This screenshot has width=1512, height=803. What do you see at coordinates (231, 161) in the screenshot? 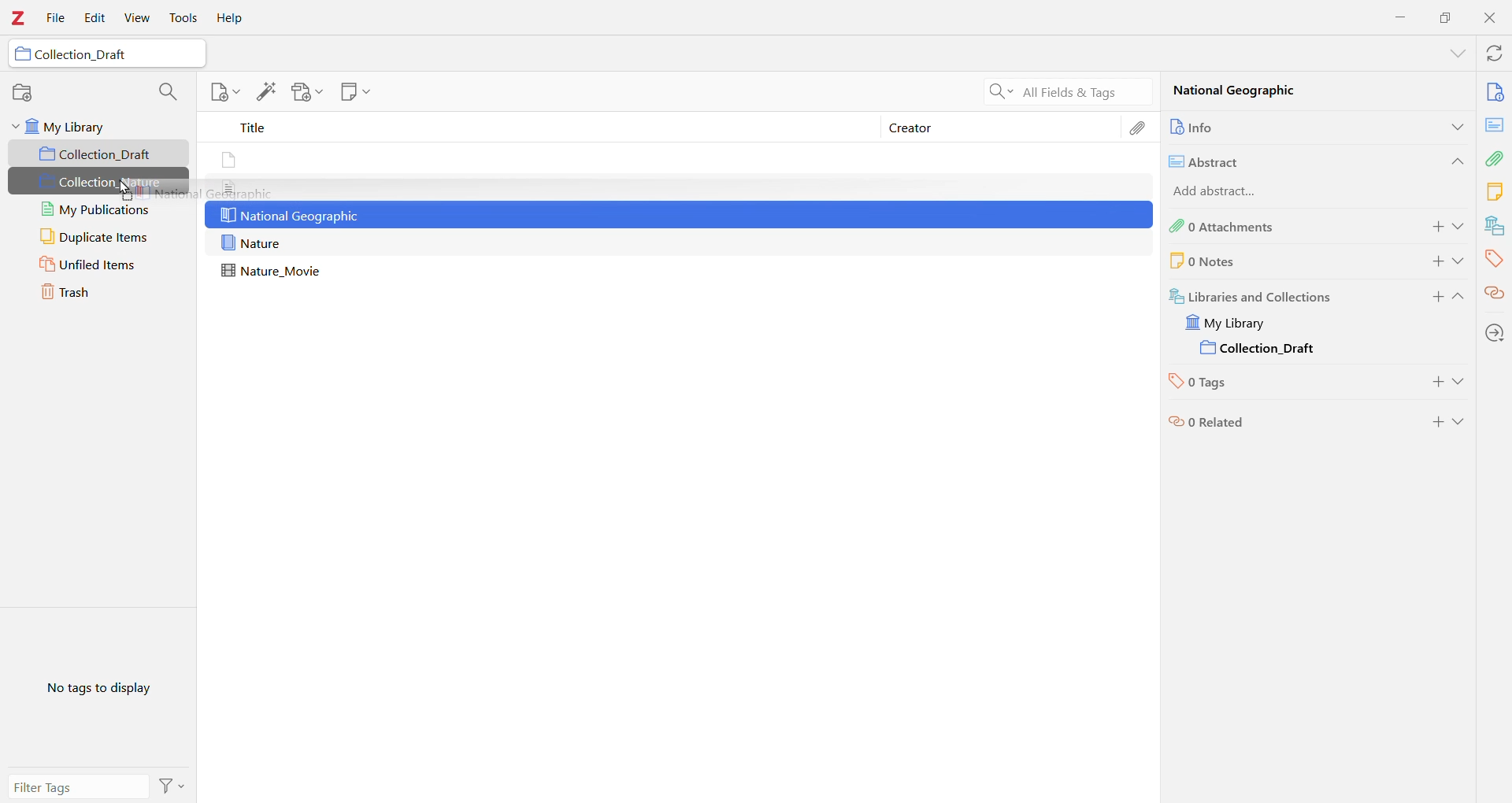
I see `file` at bounding box center [231, 161].